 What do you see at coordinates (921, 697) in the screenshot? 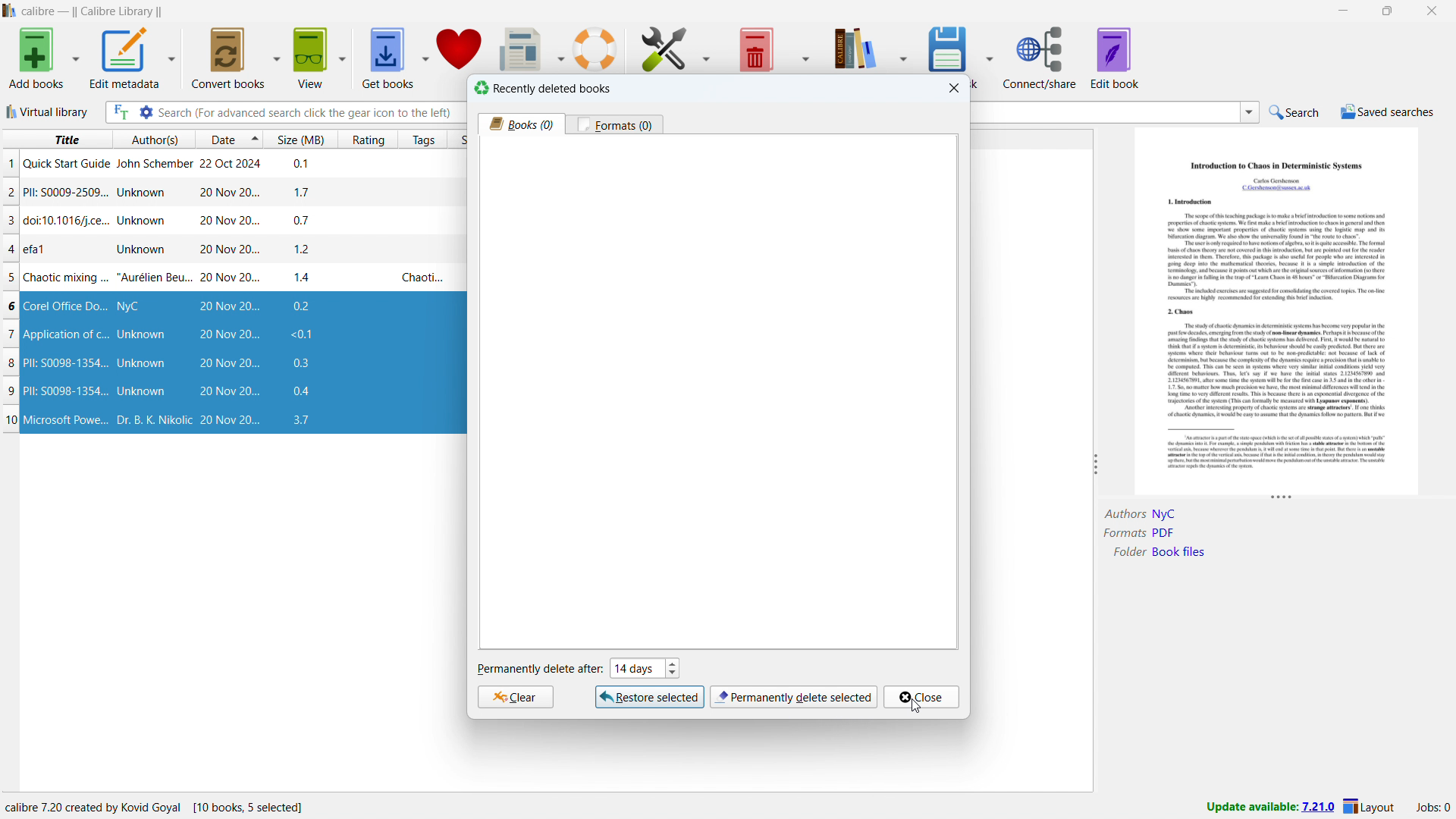
I see `close` at bounding box center [921, 697].